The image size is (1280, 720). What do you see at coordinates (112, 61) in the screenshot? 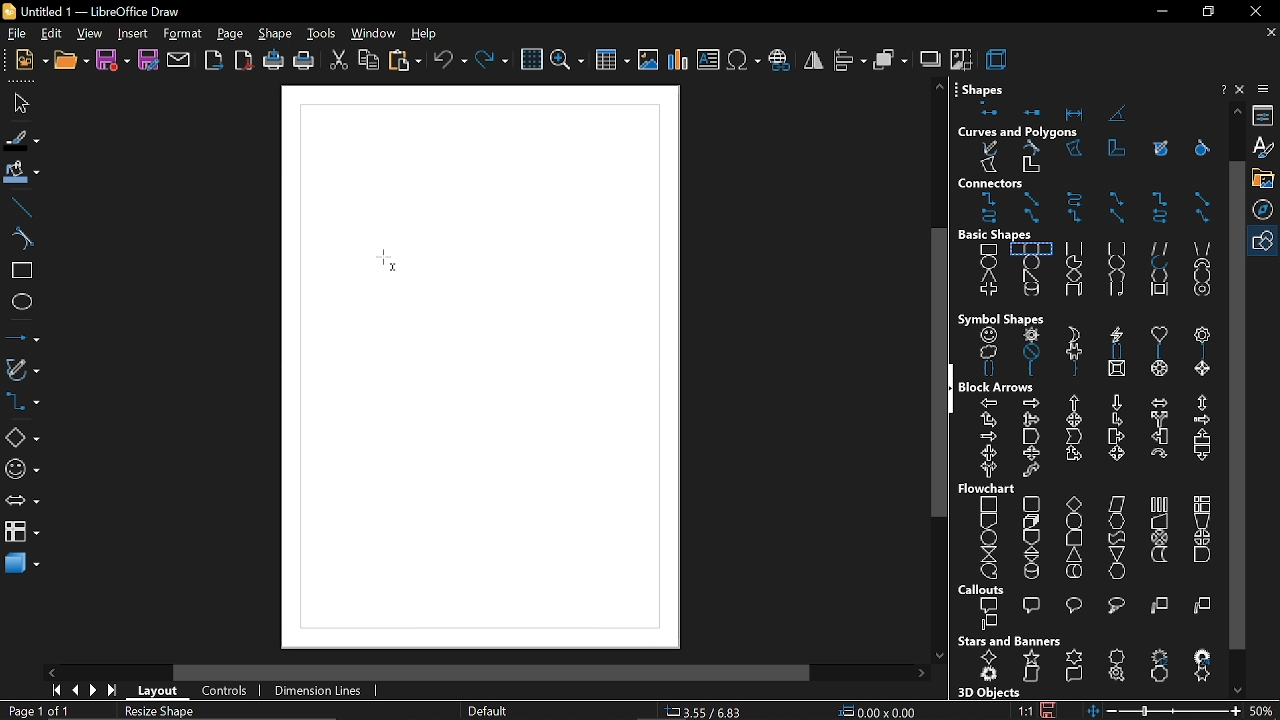
I see `save` at bounding box center [112, 61].